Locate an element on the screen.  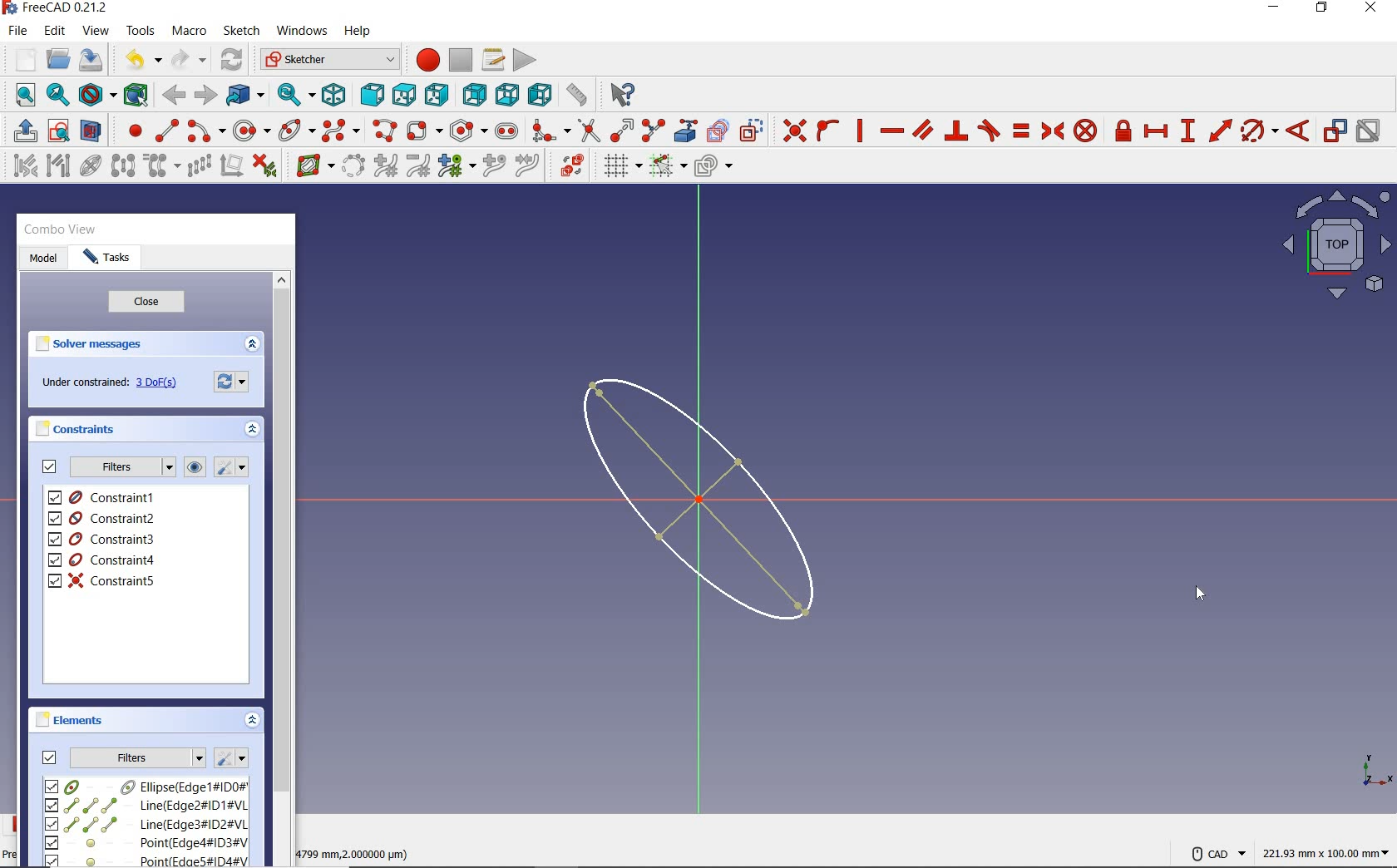
check to toggle filters is located at coordinates (50, 466).